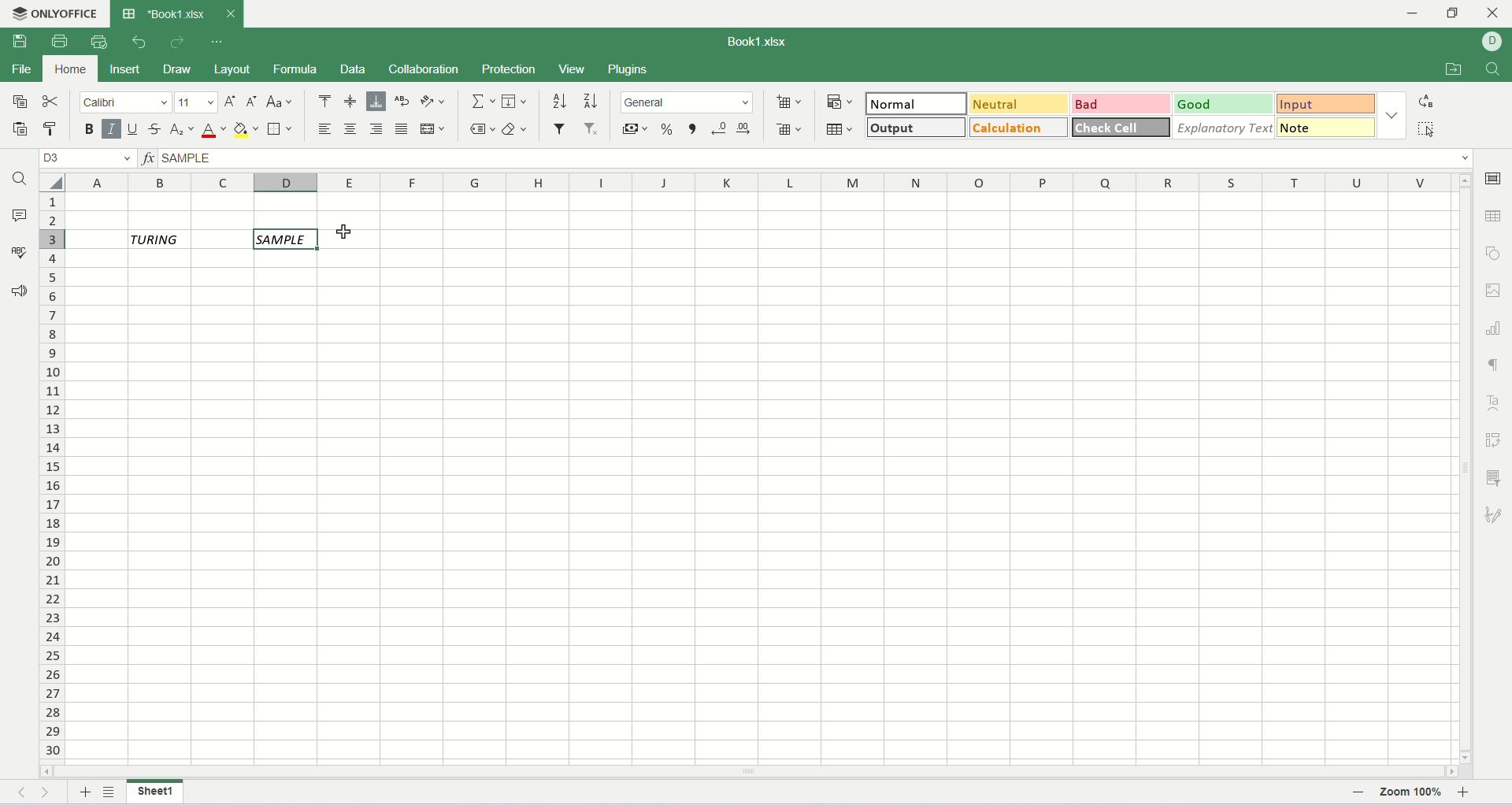 Image resolution: width=1512 pixels, height=805 pixels. Describe the element at coordinates (1451, 69) in the screenshot. I see `open file location` at that location.